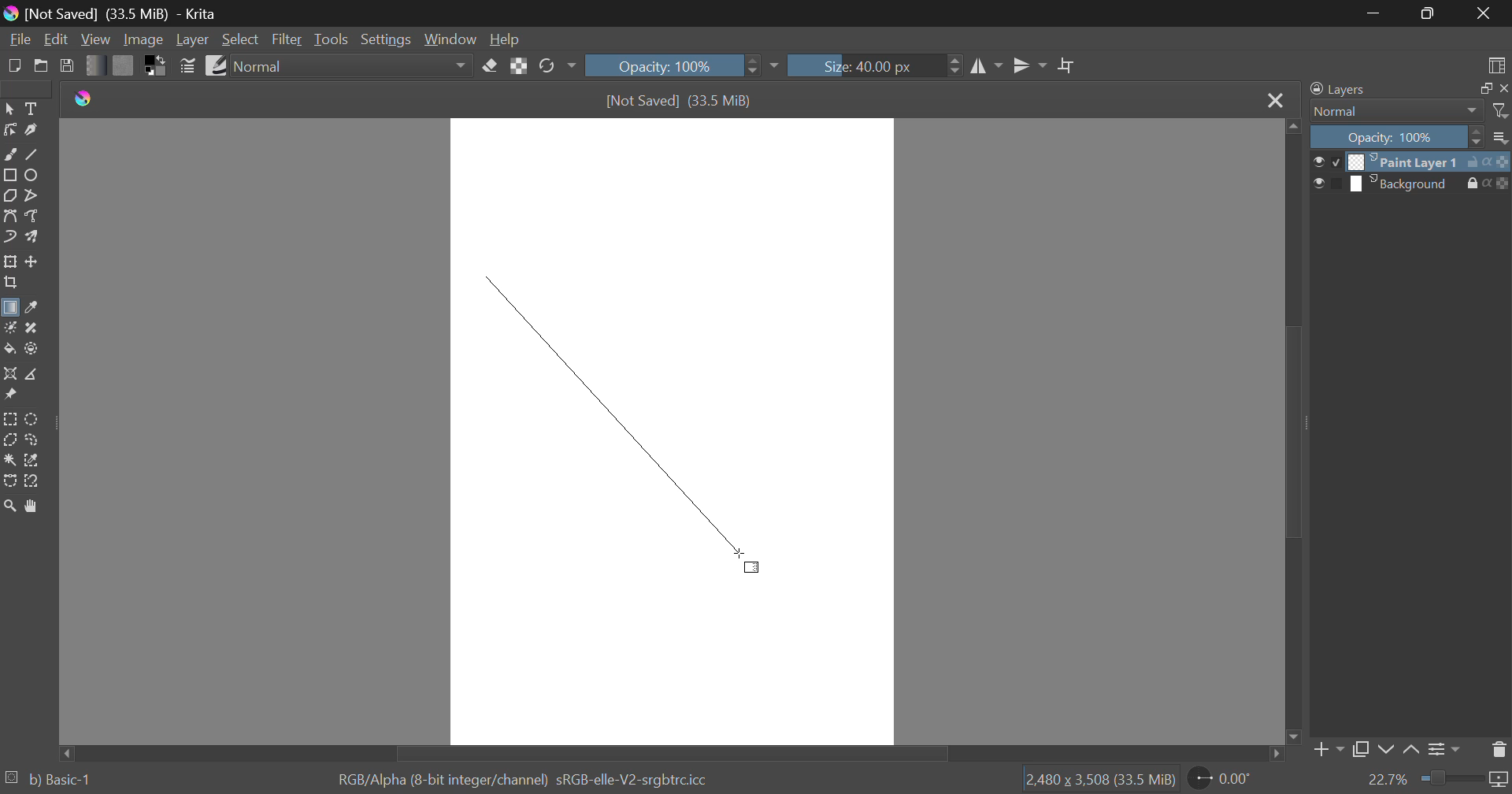  Describe the element at coordinates (32, 329) in the screenshot. I see `Smart Patch Tool` at that location.